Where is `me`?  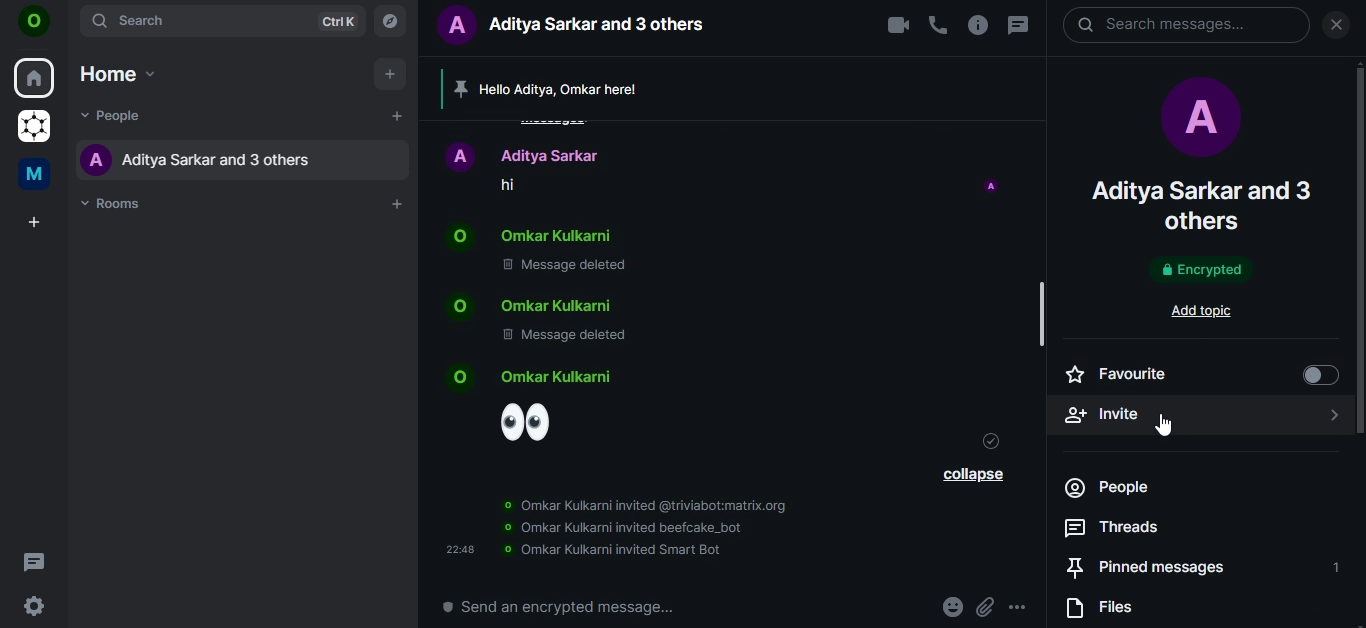 me is located at coordinates (38, 172).